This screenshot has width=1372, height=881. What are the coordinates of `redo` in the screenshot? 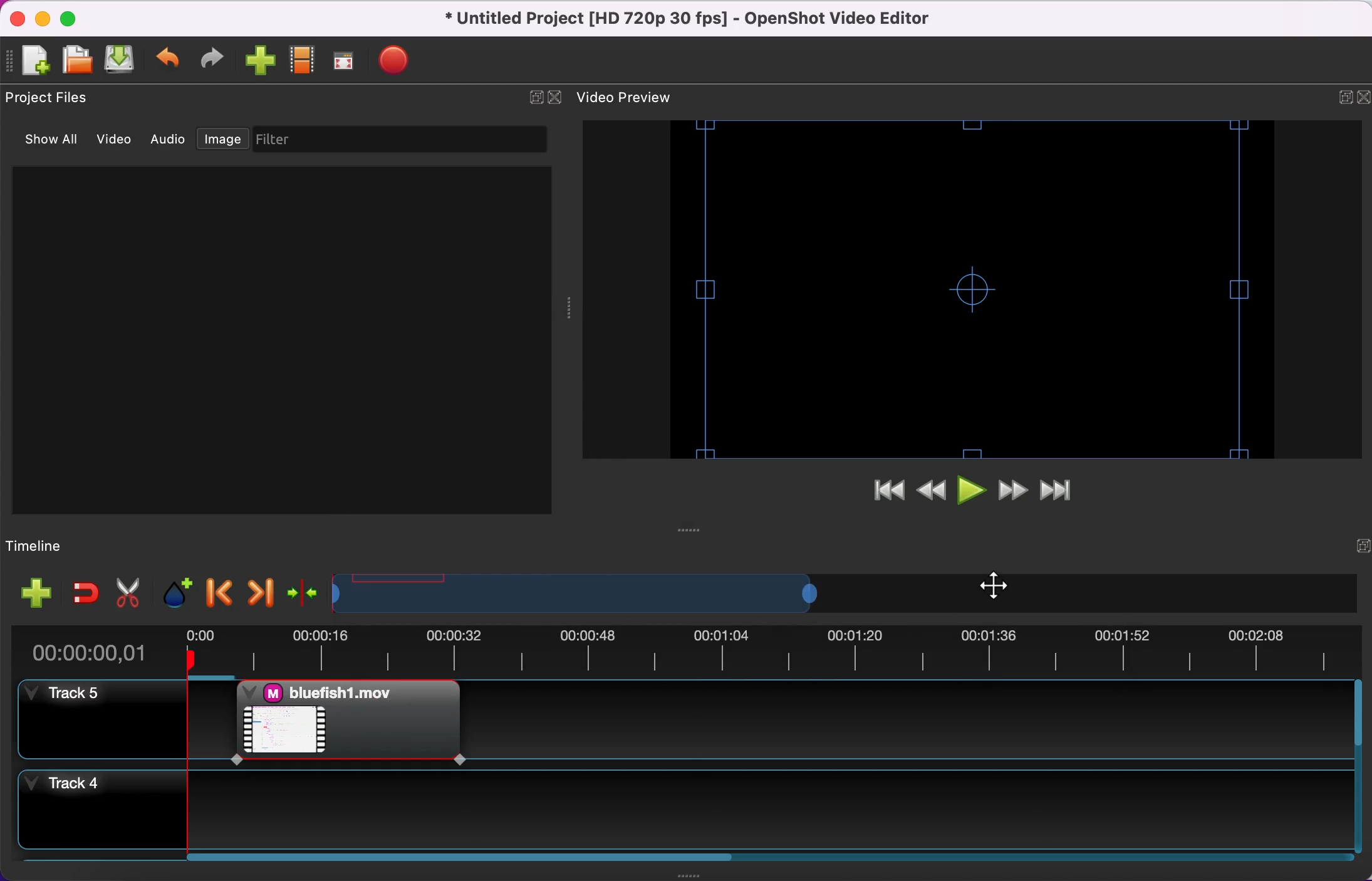 It's located at (217, 61).